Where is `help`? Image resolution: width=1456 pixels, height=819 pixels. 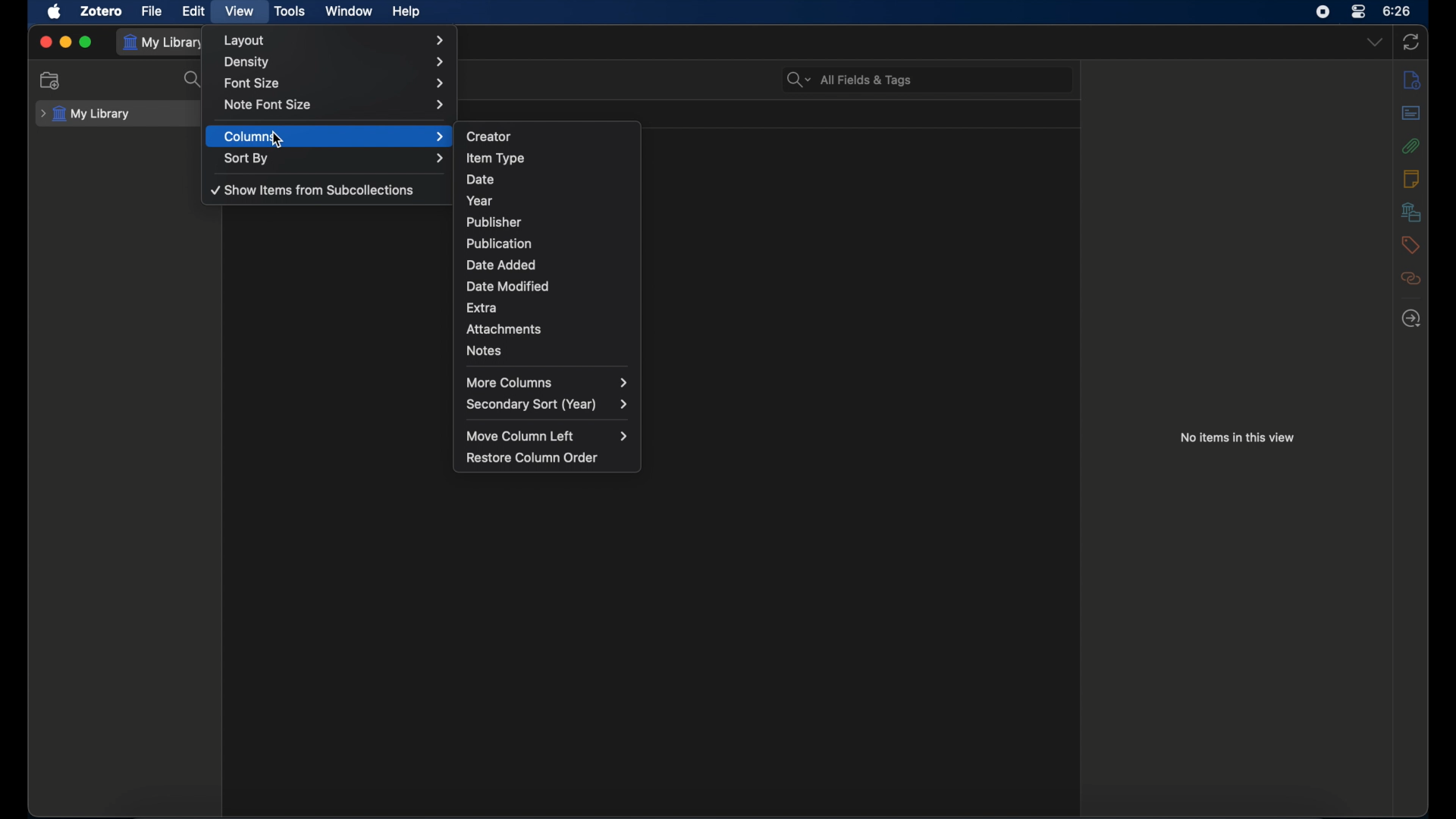 help is located at coordinates (408, 11).